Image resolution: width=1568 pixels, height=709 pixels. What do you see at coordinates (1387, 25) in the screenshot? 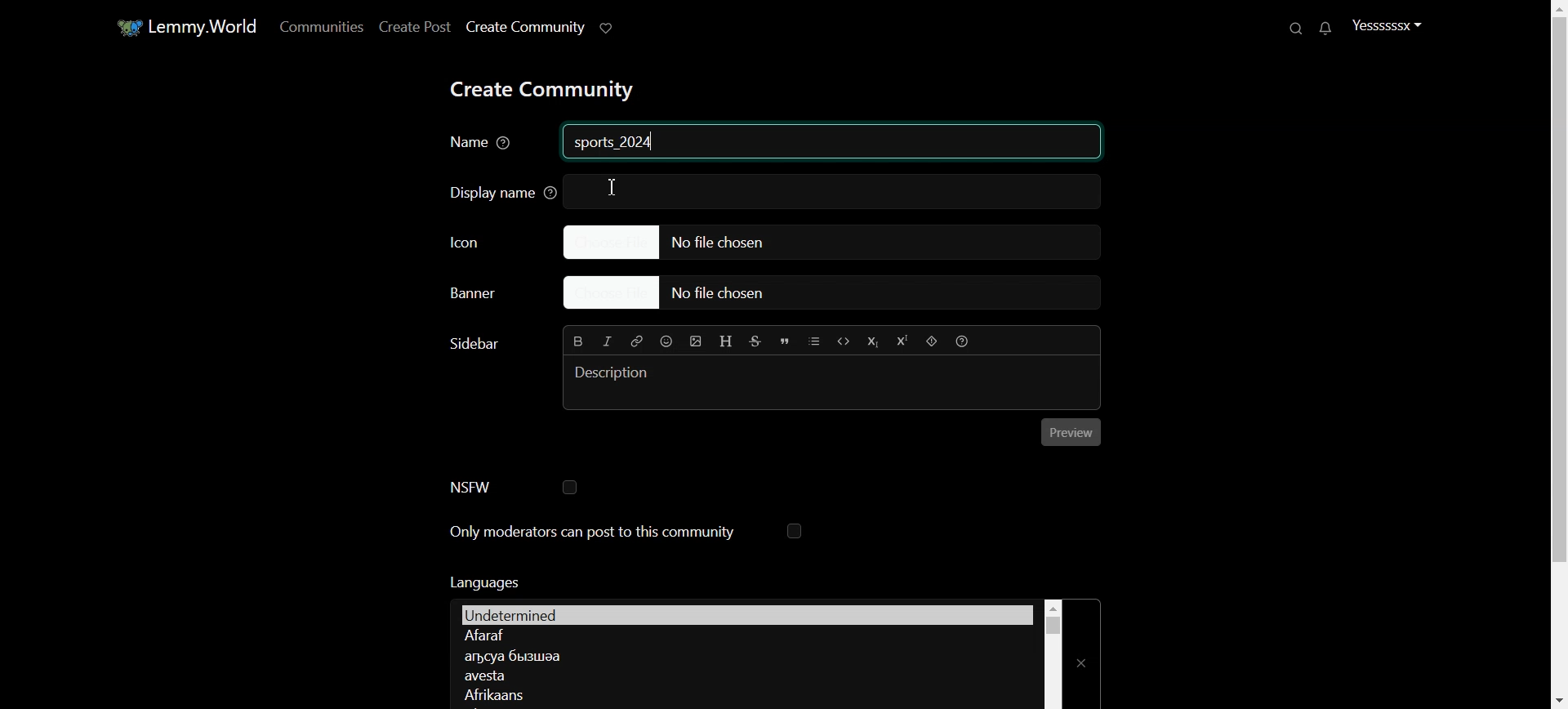
I see `Profile` at bounding box center [1387, 25].